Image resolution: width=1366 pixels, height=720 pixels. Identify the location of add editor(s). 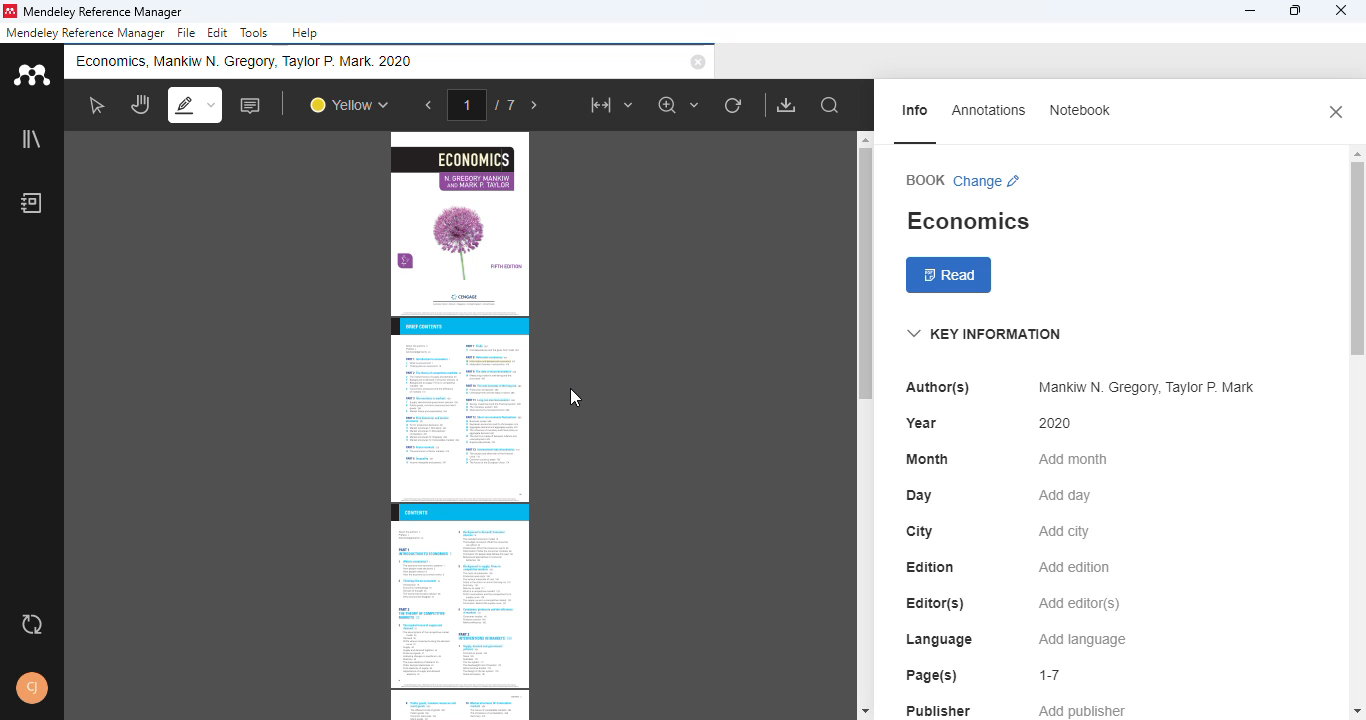
(1080, 605).